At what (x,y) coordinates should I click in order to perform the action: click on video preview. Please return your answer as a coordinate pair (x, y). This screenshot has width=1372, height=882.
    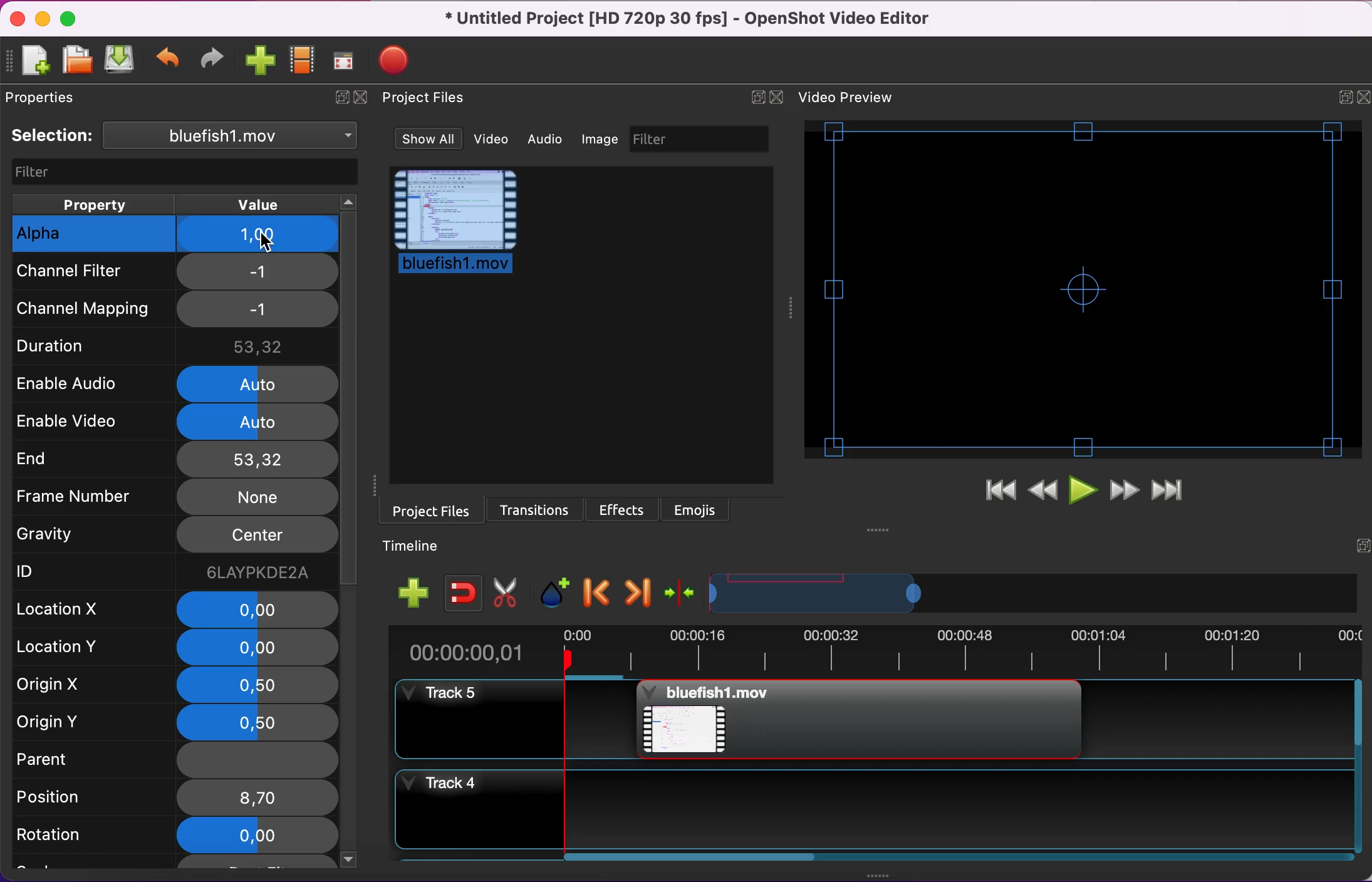
    Looking at the image, I should click on (1084, 288).